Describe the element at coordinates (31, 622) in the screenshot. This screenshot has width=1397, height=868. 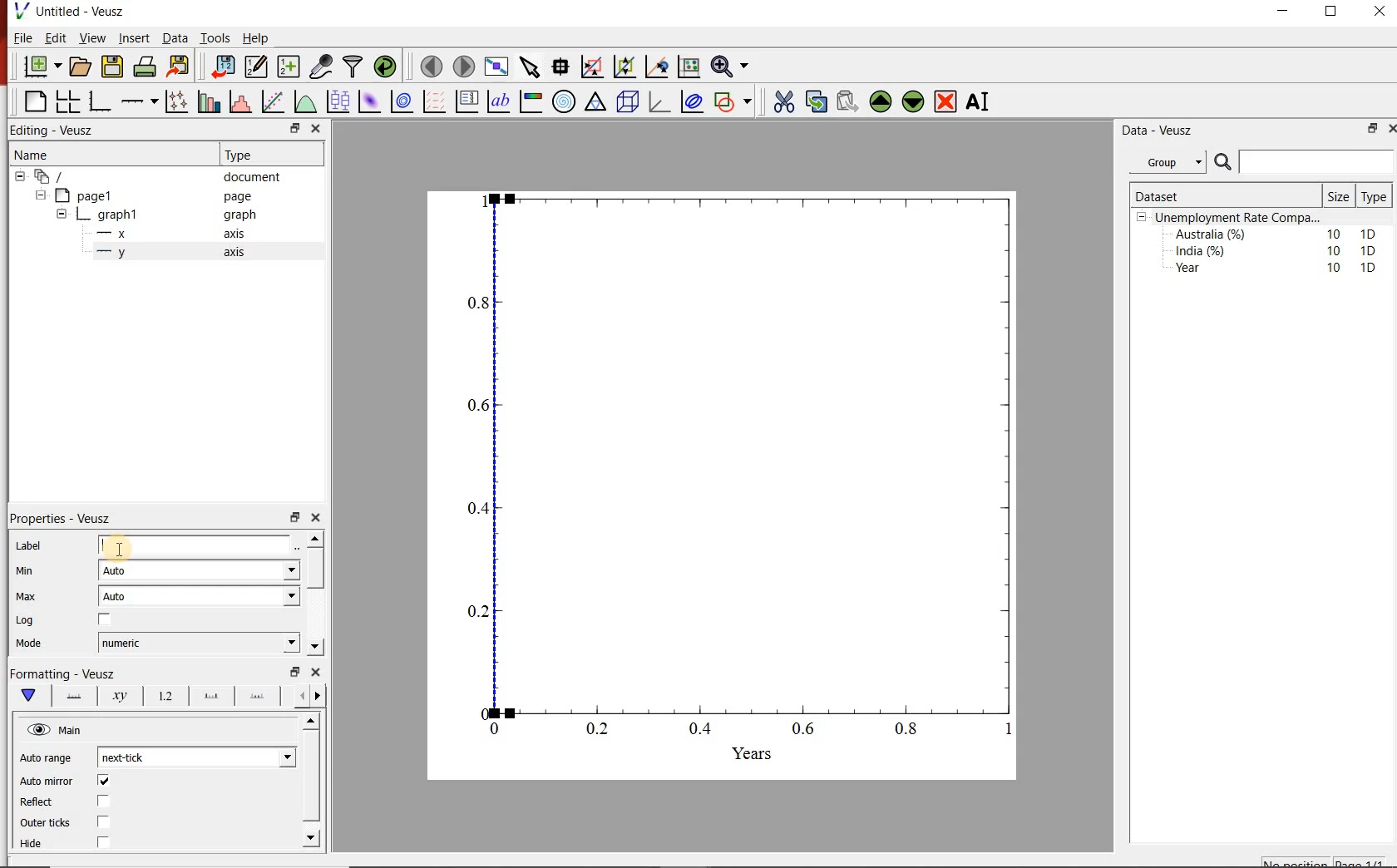
I see `Log` at that location.